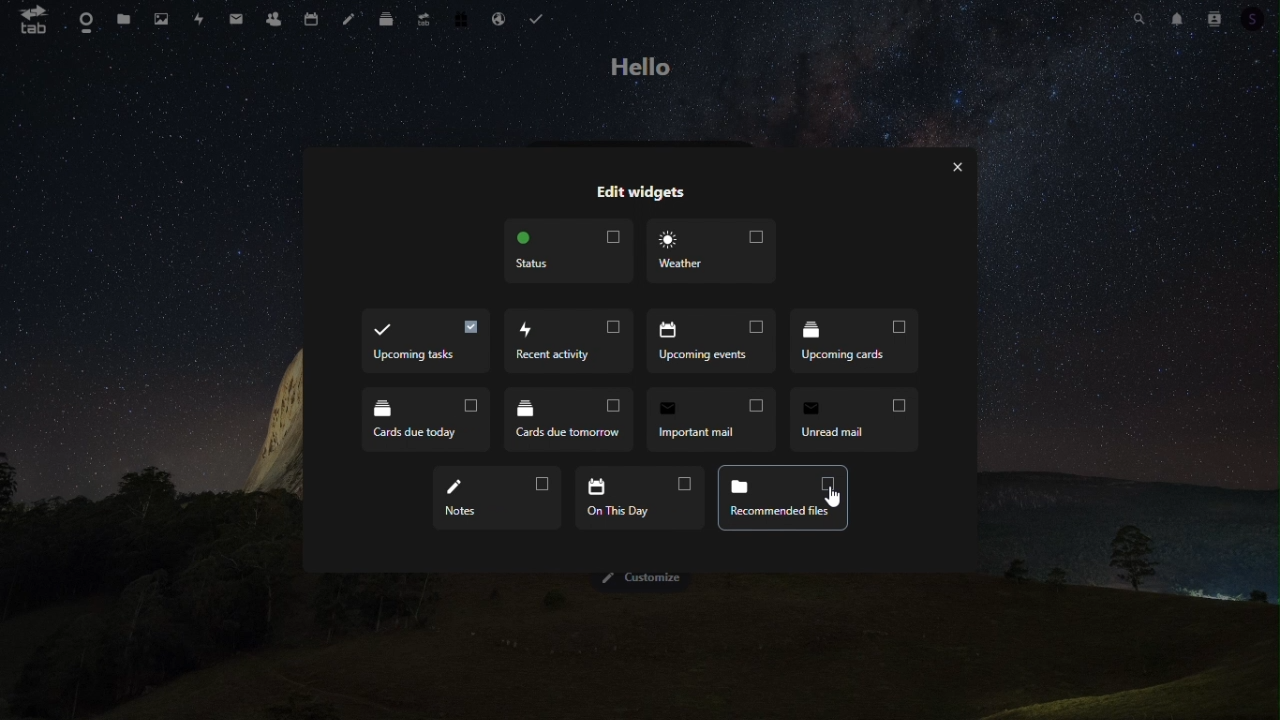 Image resolution: width=1280 pixels, height=720 pixels. I want to click on deck, so click(387, 22).